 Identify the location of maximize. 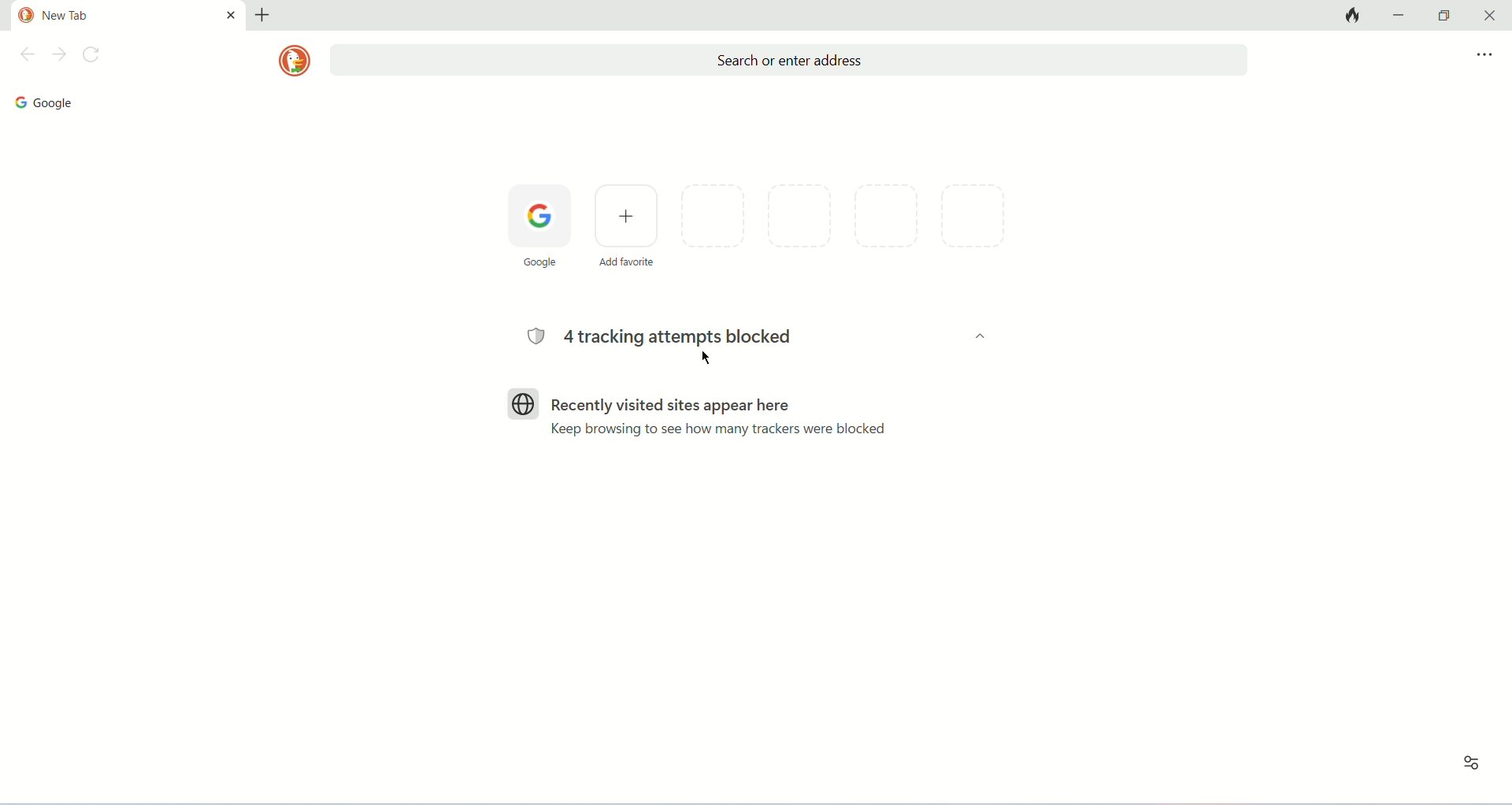
(1444, 16).